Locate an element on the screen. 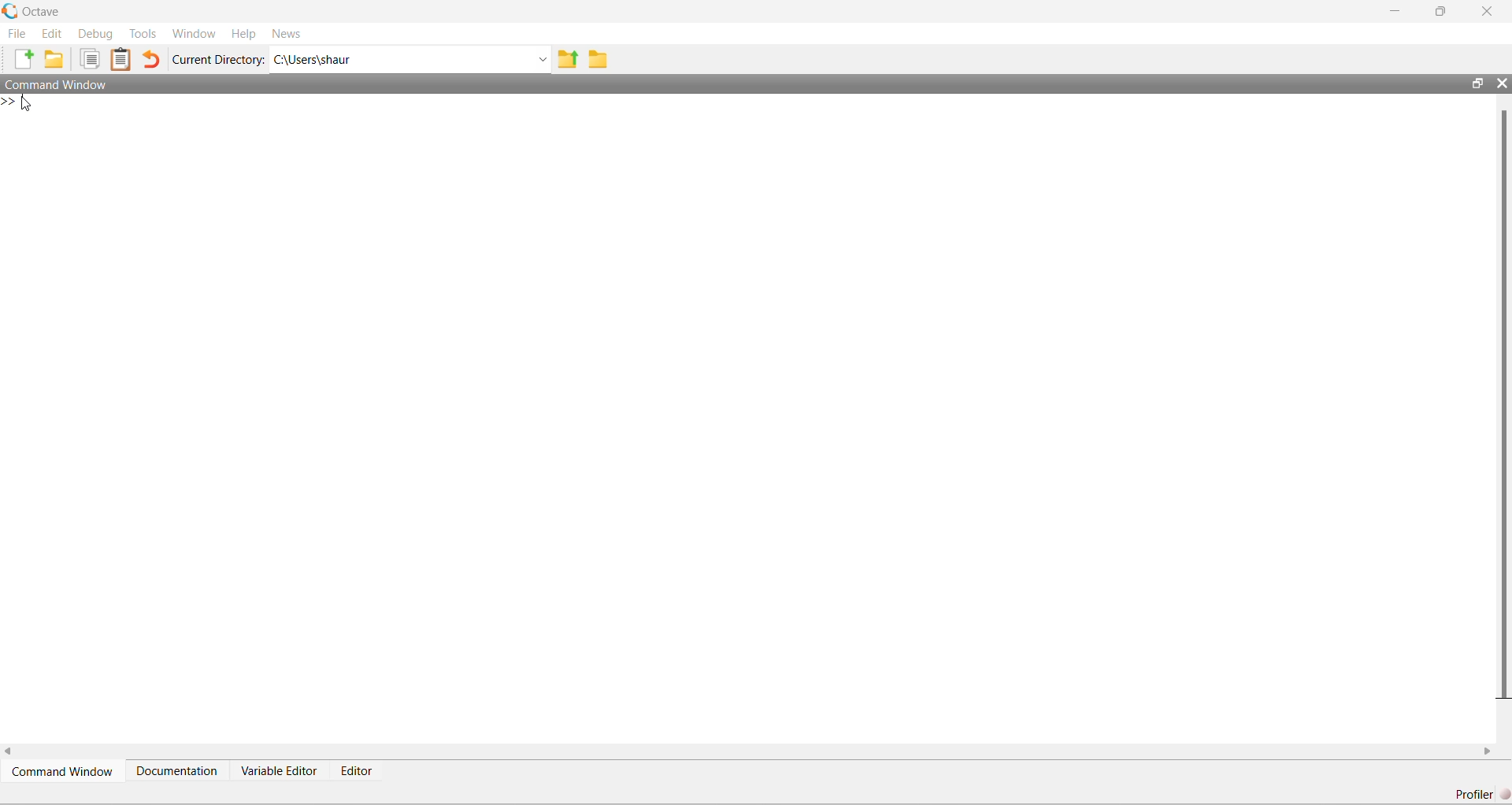 This screenshot has height=805, width=1512. File is located at coordinates (16, 32).